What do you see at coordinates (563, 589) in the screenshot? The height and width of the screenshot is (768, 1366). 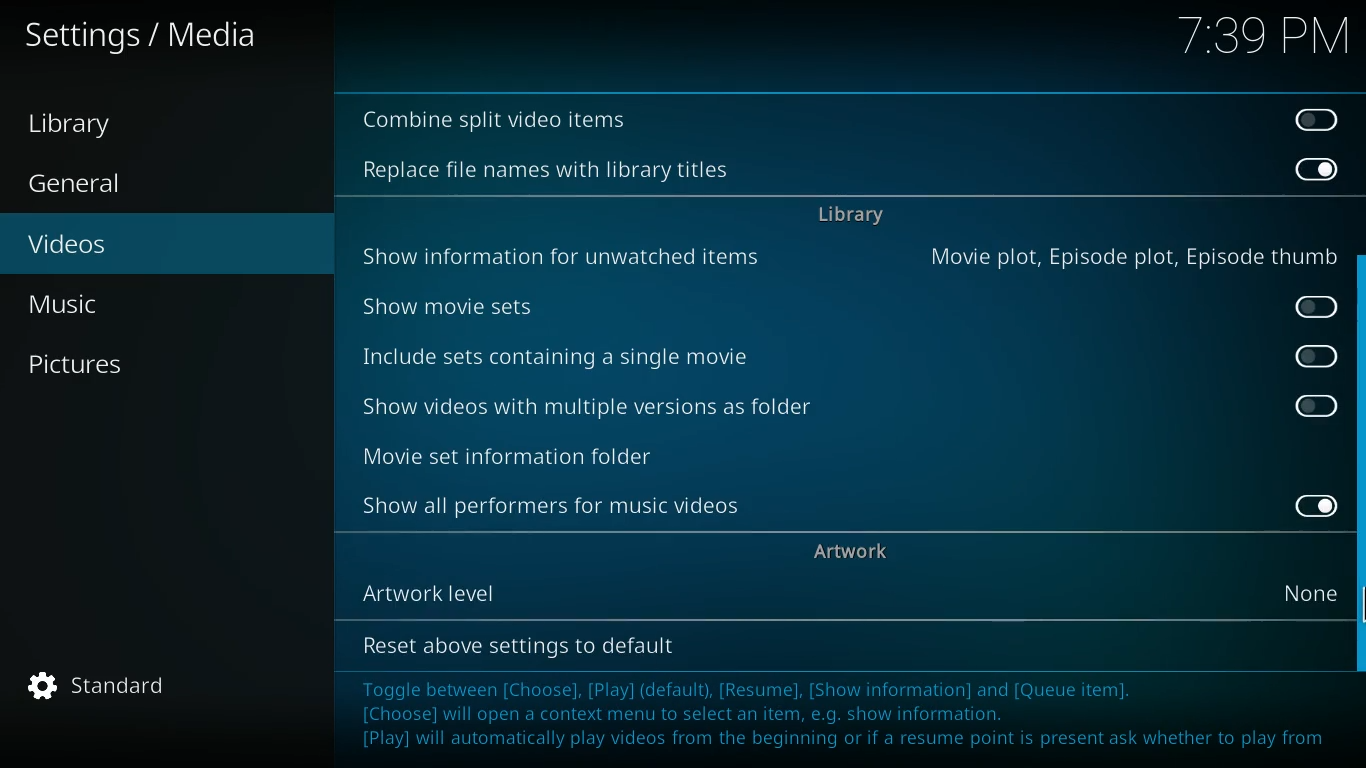 I see `Artwork level` at bounding box center [563, 589].